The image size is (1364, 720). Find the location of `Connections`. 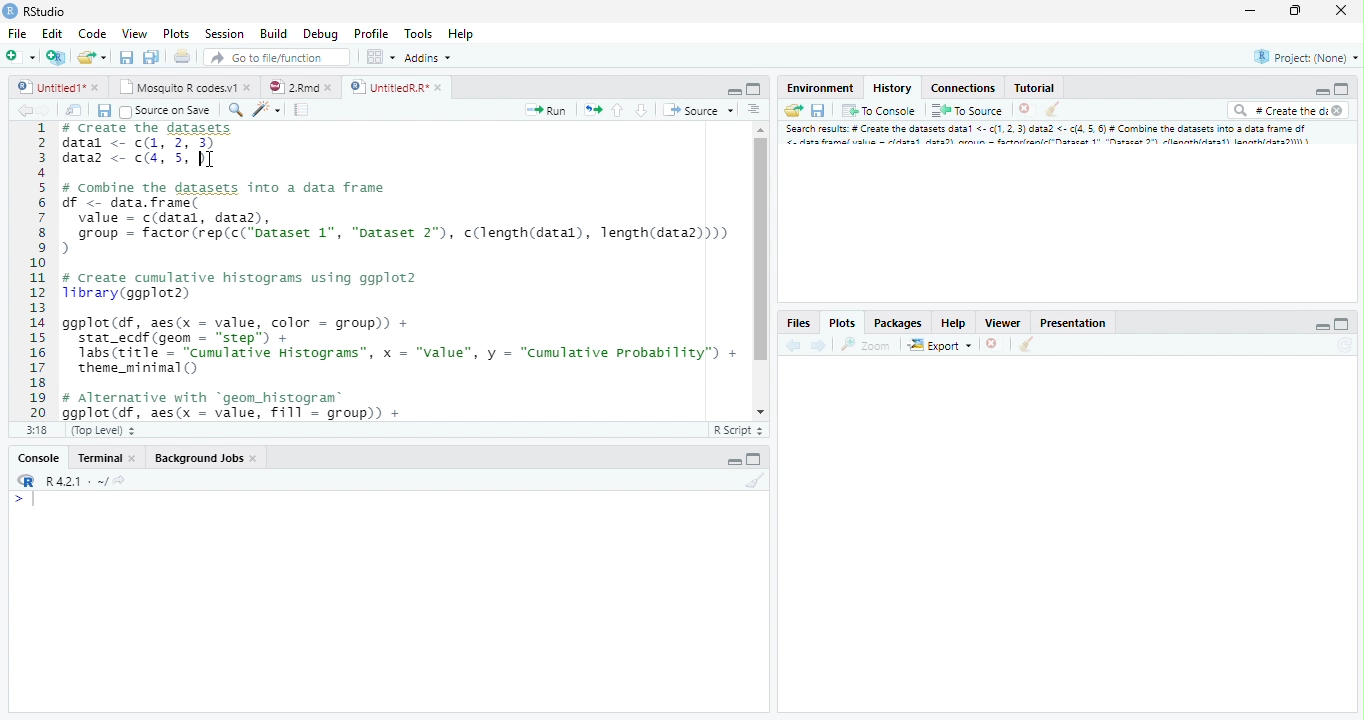

Connections is located at coordinates (964, 88).